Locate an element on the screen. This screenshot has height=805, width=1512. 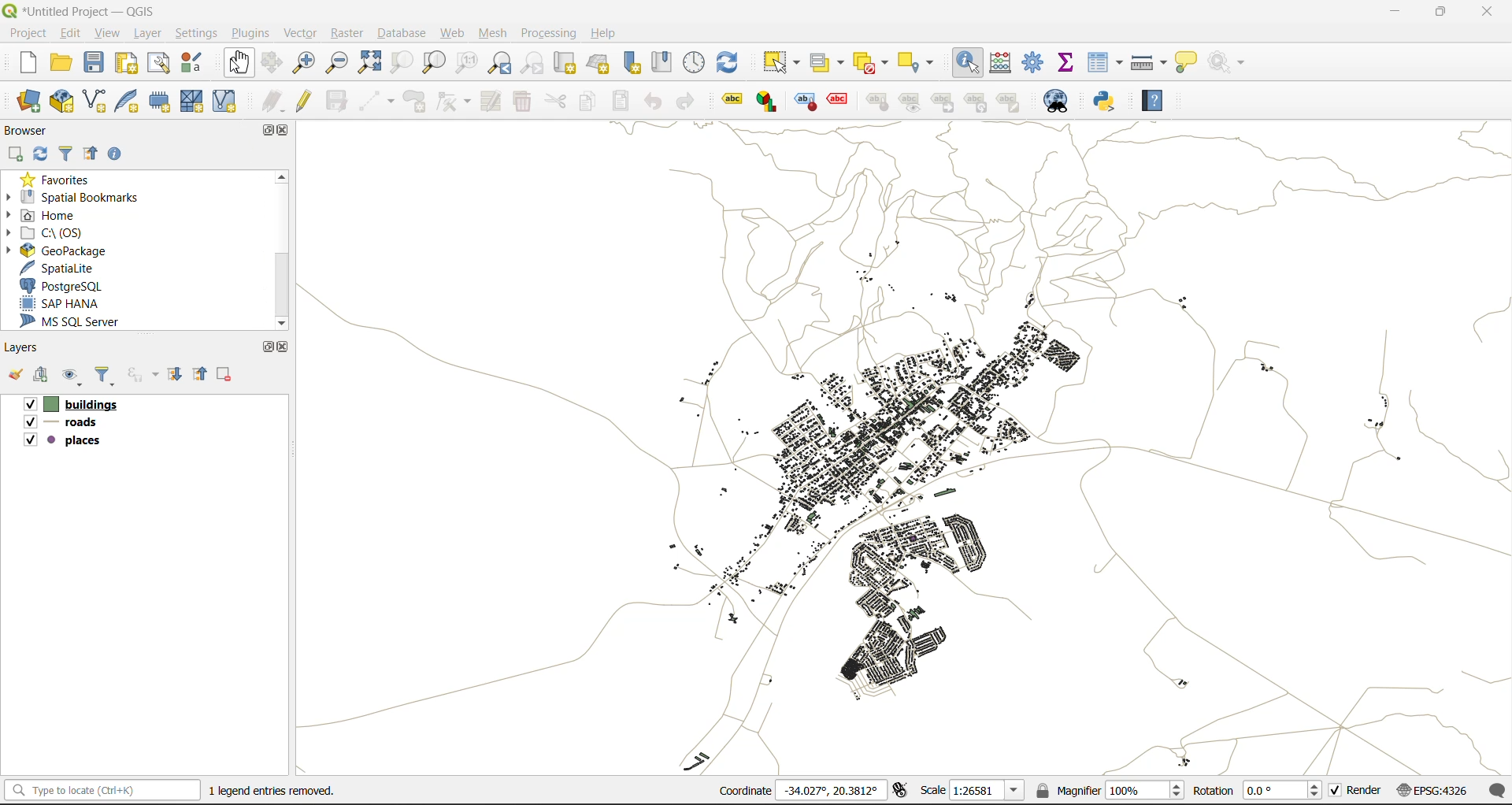
new shapefile is located at coordinates (98, 100).